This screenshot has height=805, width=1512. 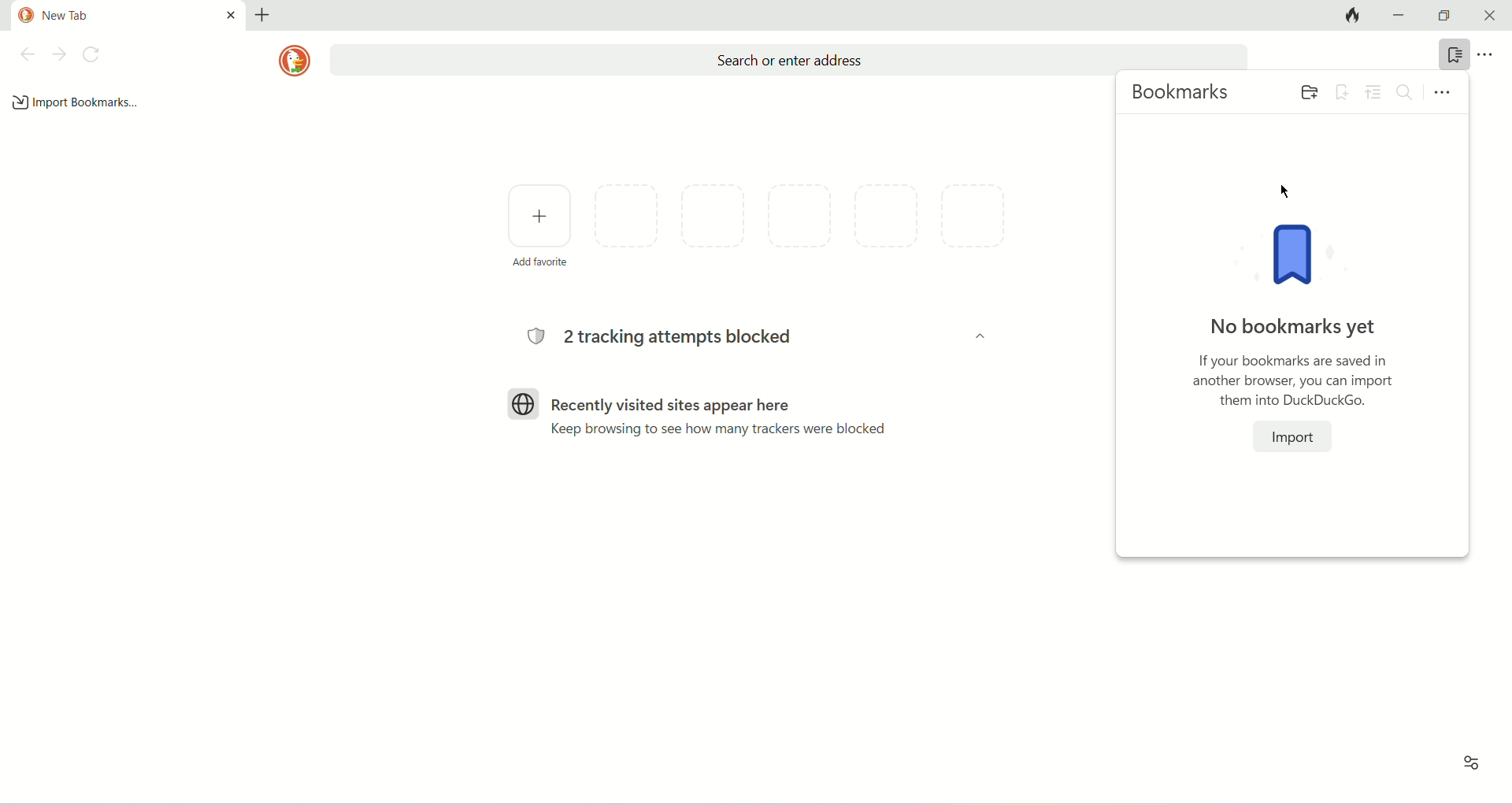 I want to click on search, so click(x=787, y=60).